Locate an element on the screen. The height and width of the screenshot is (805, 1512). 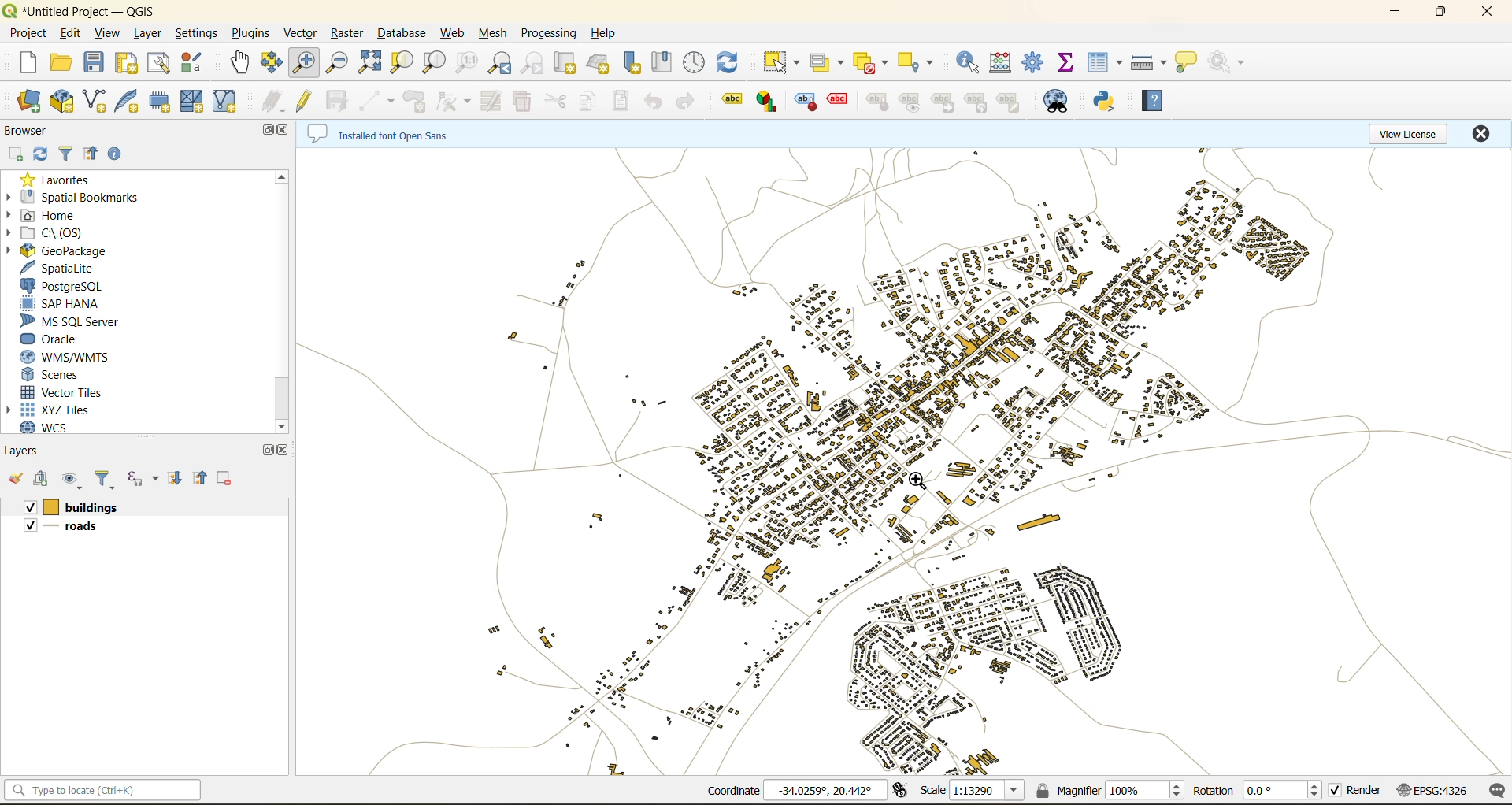
delete  is located at coordinates (224, 477).